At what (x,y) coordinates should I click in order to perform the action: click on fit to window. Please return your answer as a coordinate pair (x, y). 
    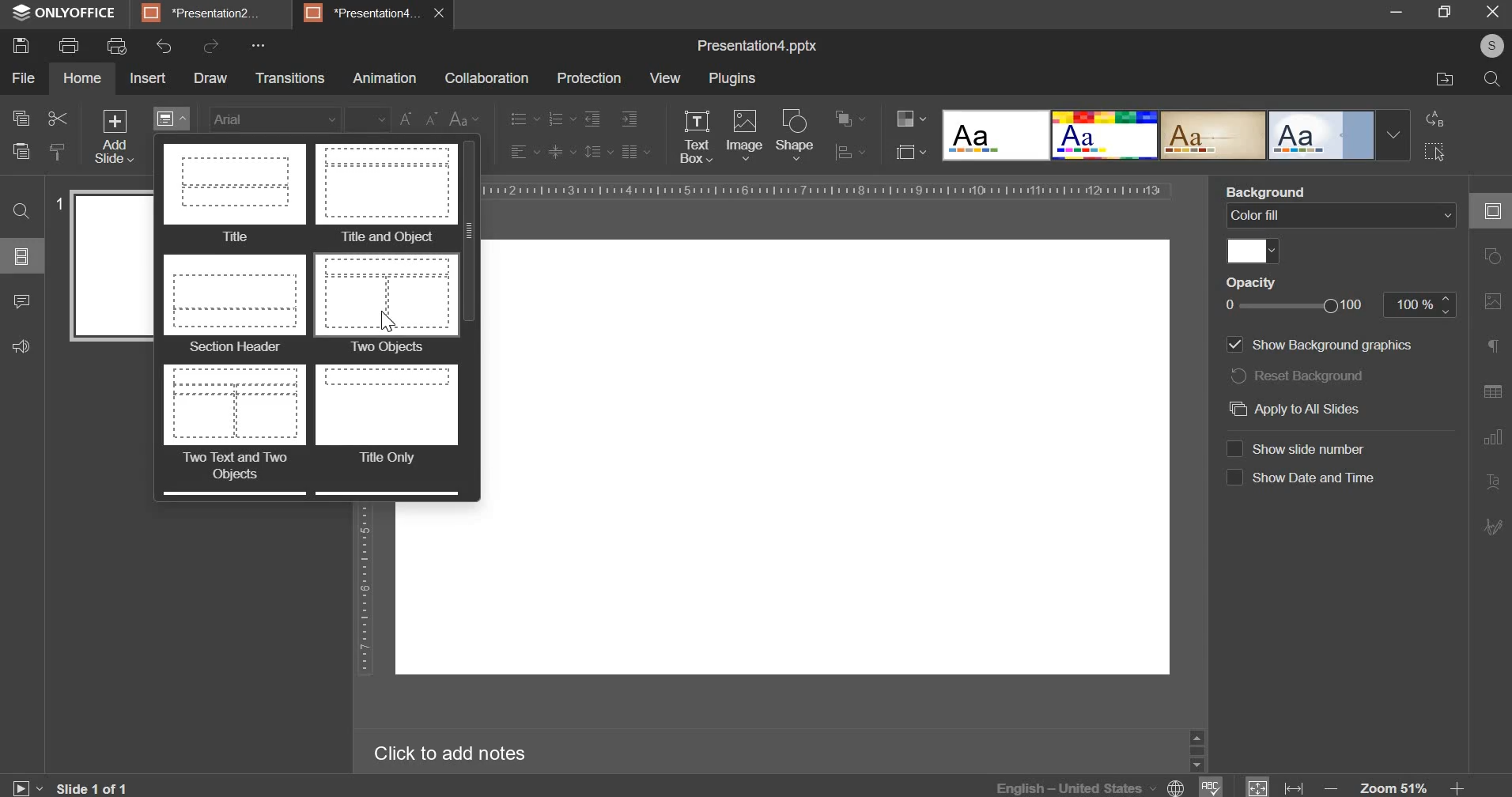
    Looking at the image, I should click on (1258, 788).